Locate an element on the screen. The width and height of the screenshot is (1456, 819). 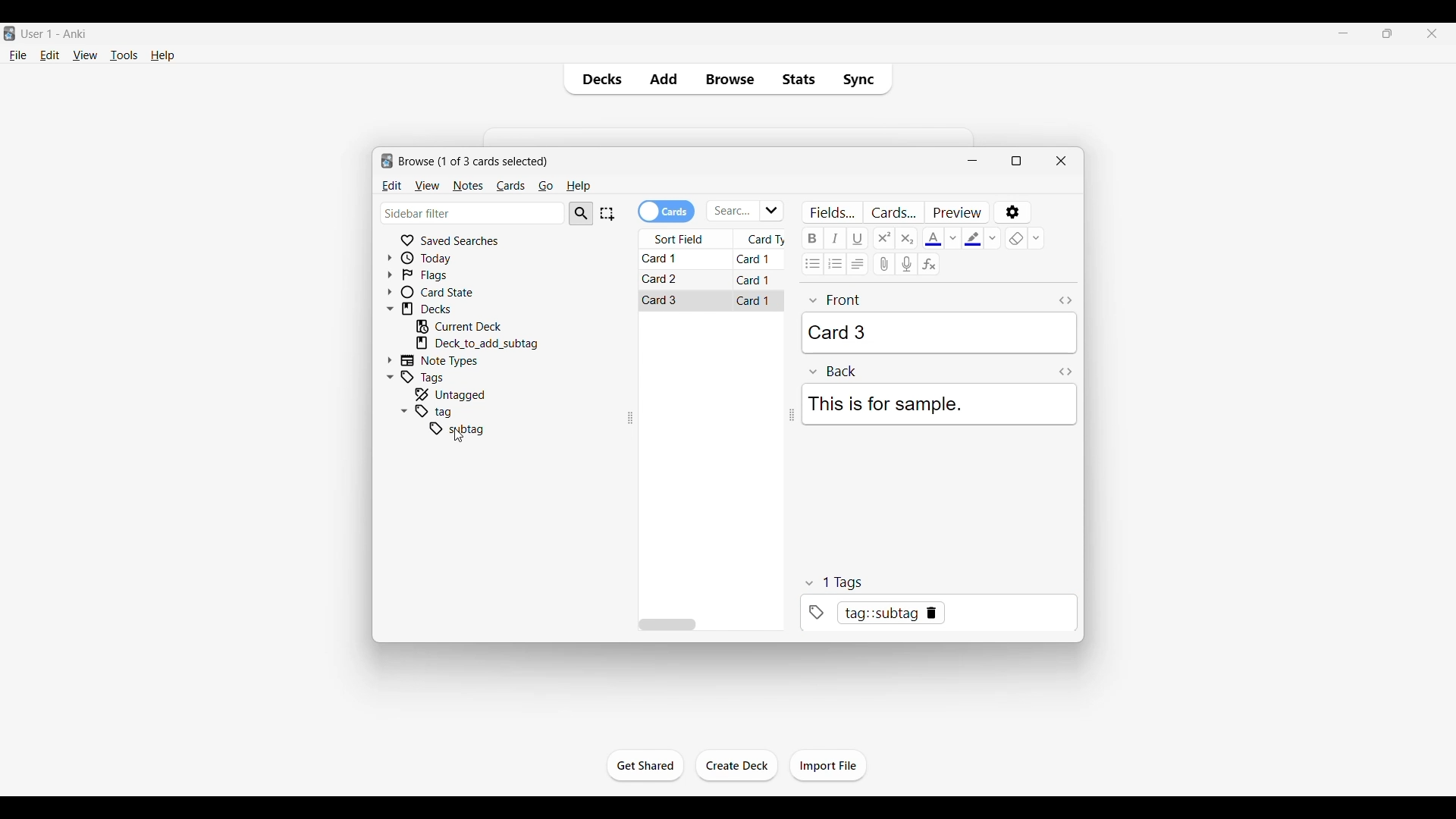
Click to import file is located at coordinates (829, 766).